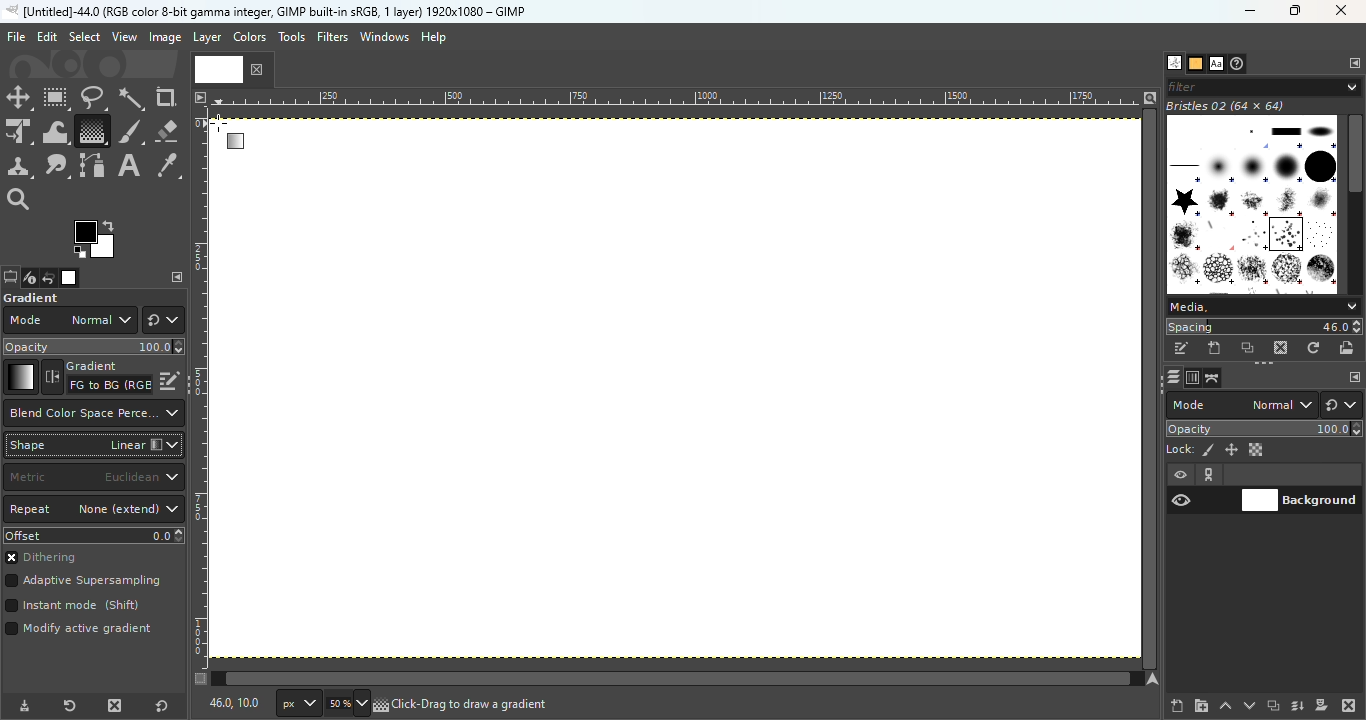 The image size is (1366, 720). I want to click on Move tool, so click(19, 98).